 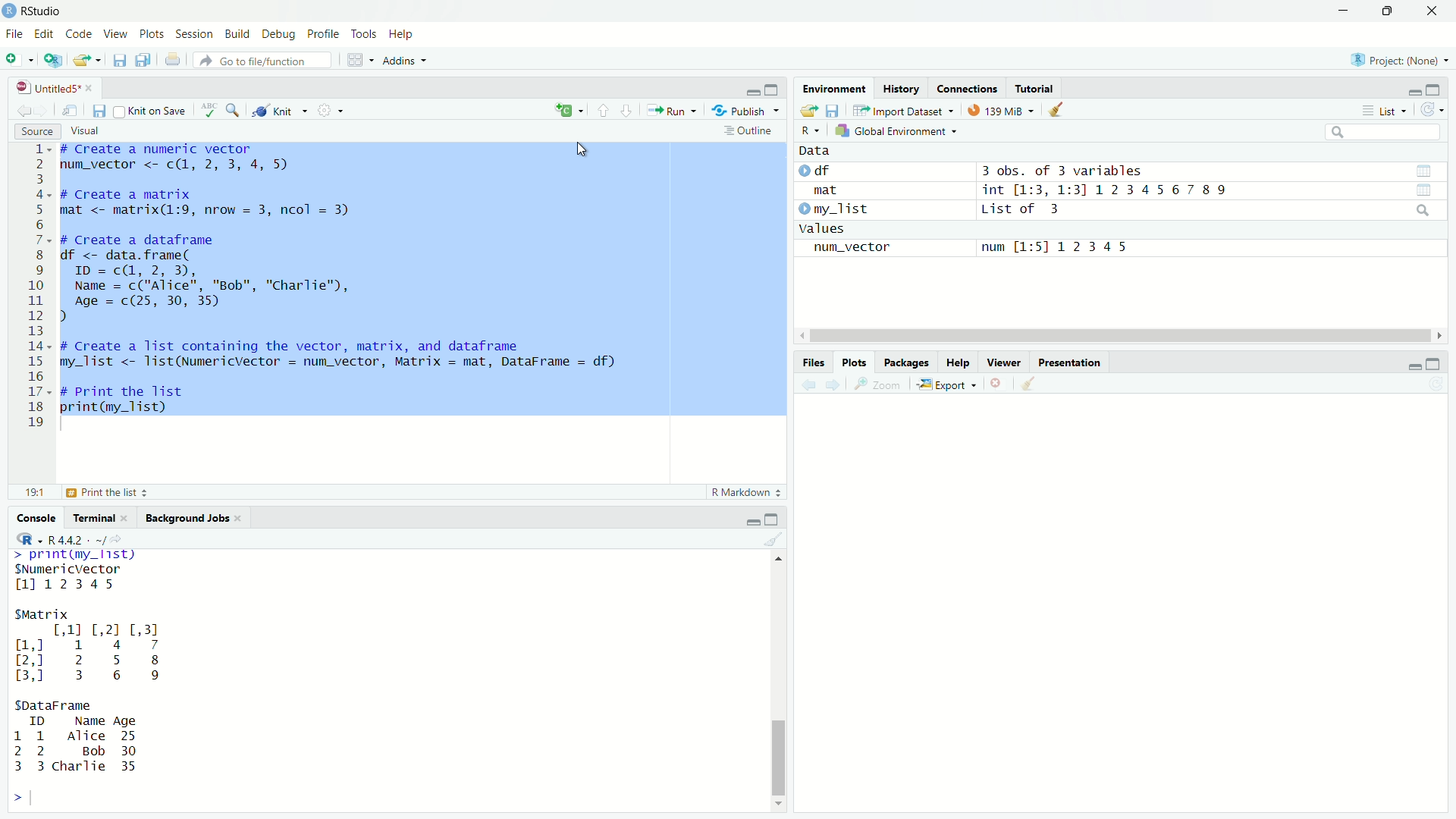 I want to click on Visual, so click(x=93, y=129).